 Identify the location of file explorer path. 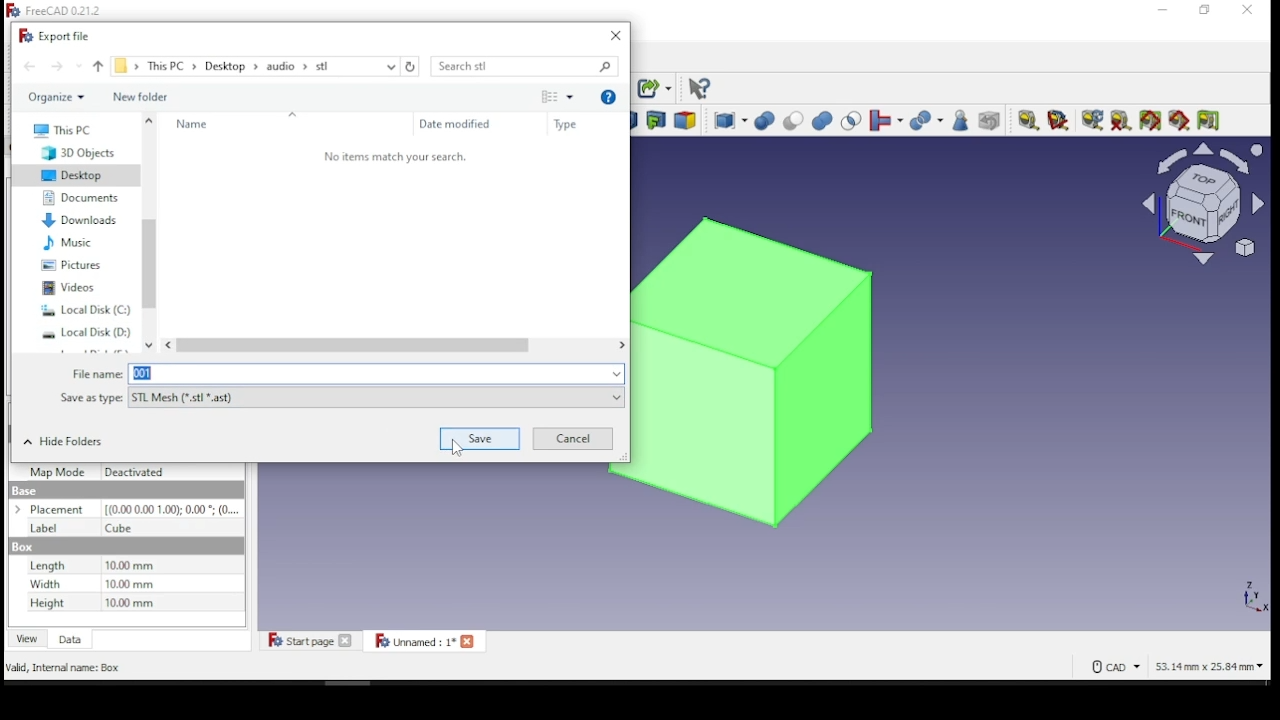
(122, 65).